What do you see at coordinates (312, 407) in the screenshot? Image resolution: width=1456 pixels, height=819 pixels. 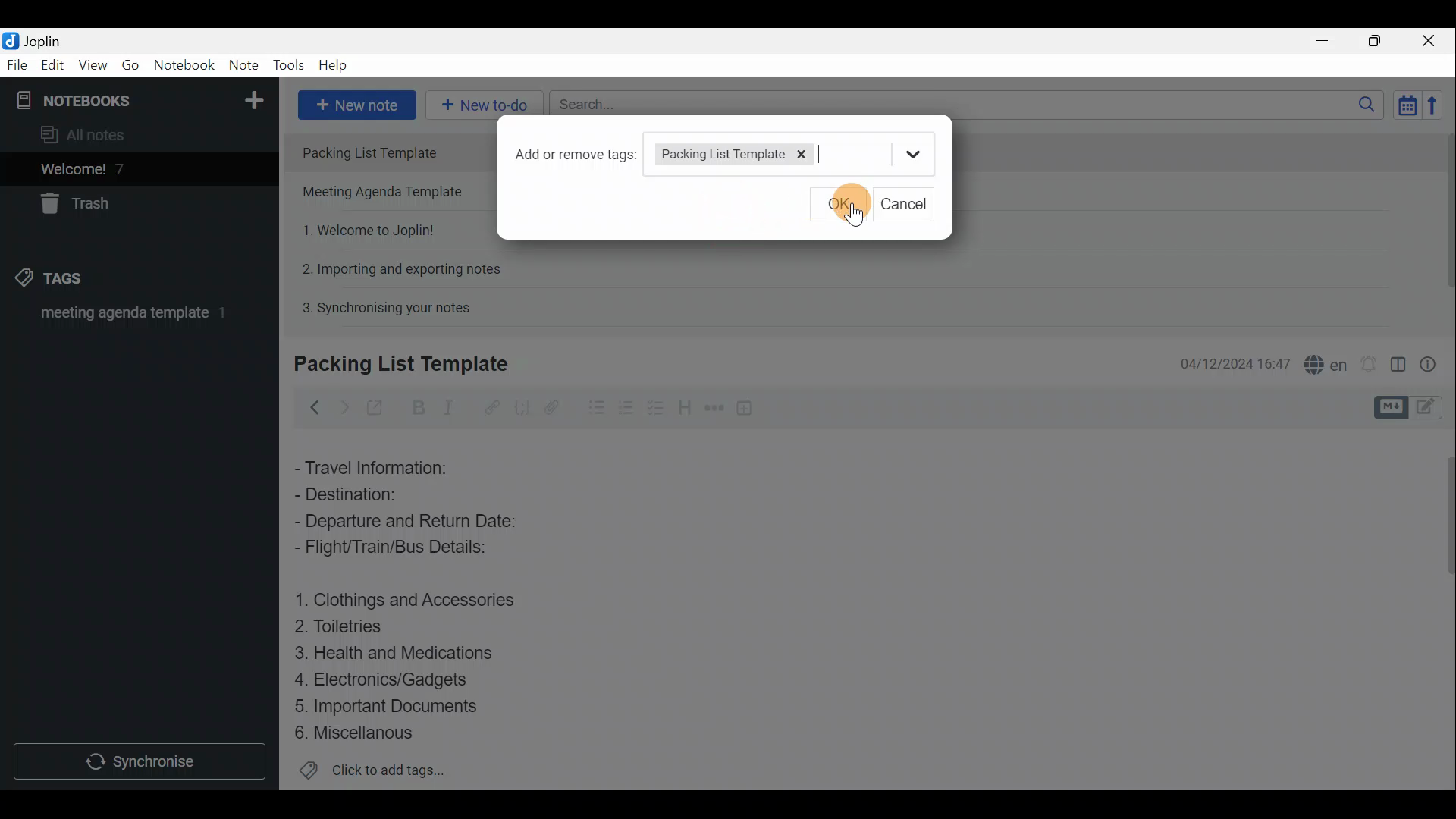 I see `Back` at bounding box center [312, 407].